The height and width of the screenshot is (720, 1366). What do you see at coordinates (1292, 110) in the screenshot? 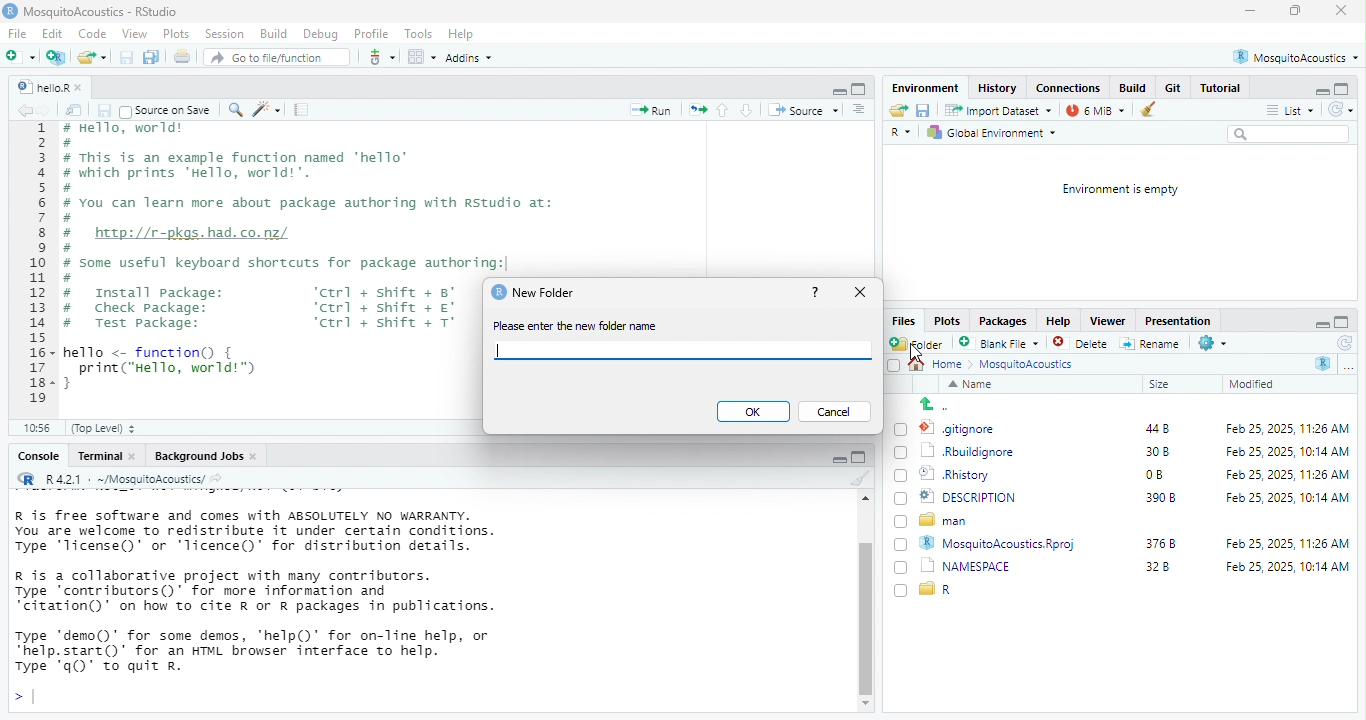
I see ` list` at bounding box center [1292, 110].